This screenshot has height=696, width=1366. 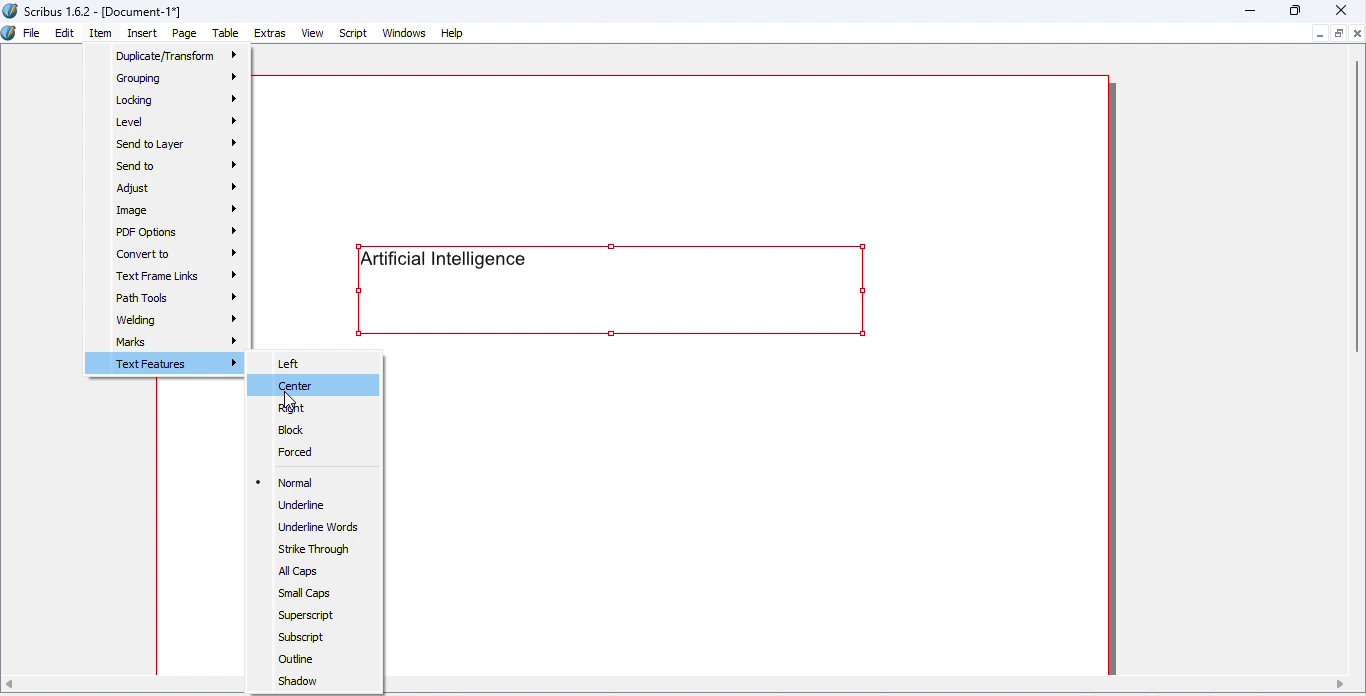 I want to click on Cursor, so click(x=289, y=404).